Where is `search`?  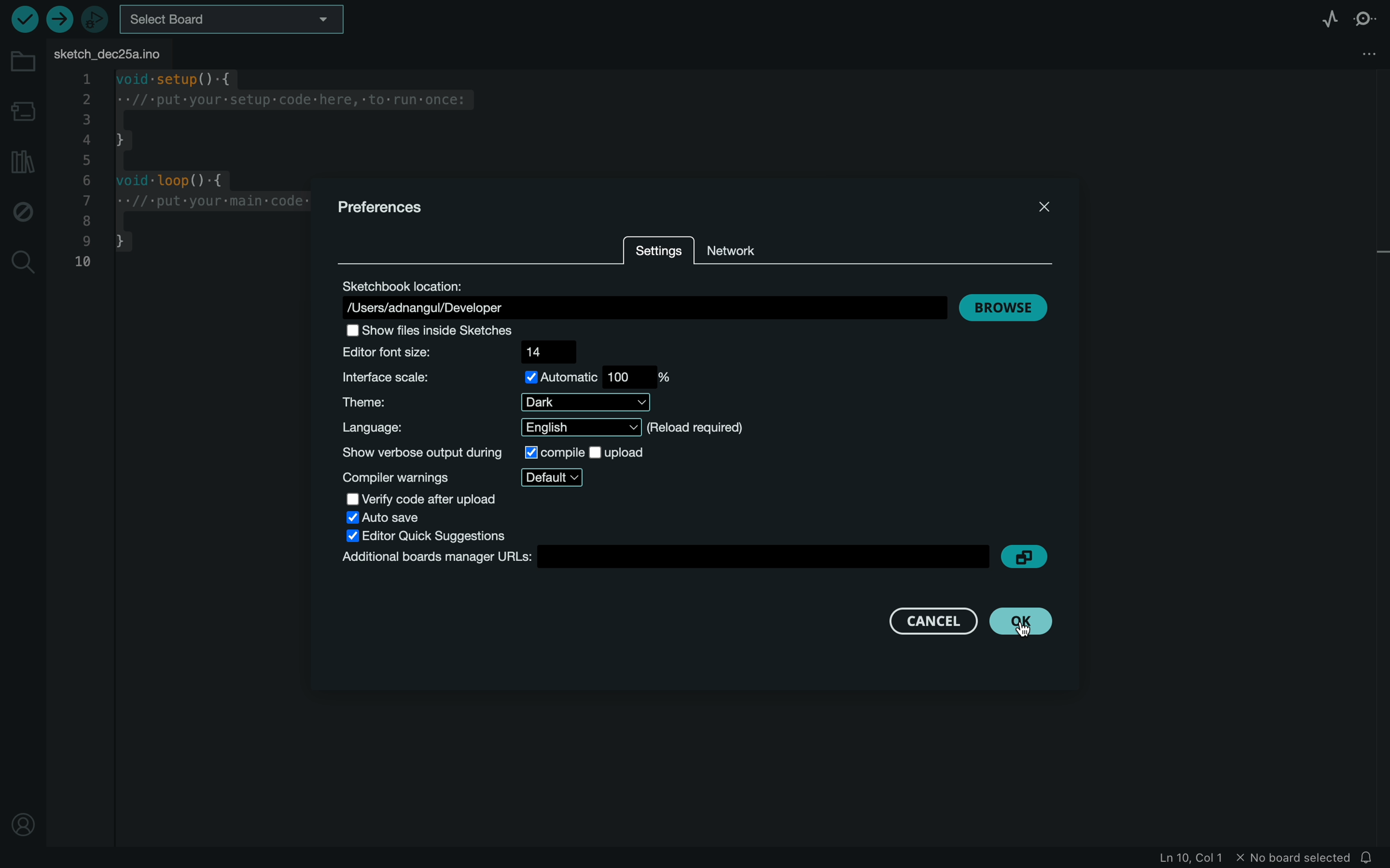 search is located at coordinates (22, 261).